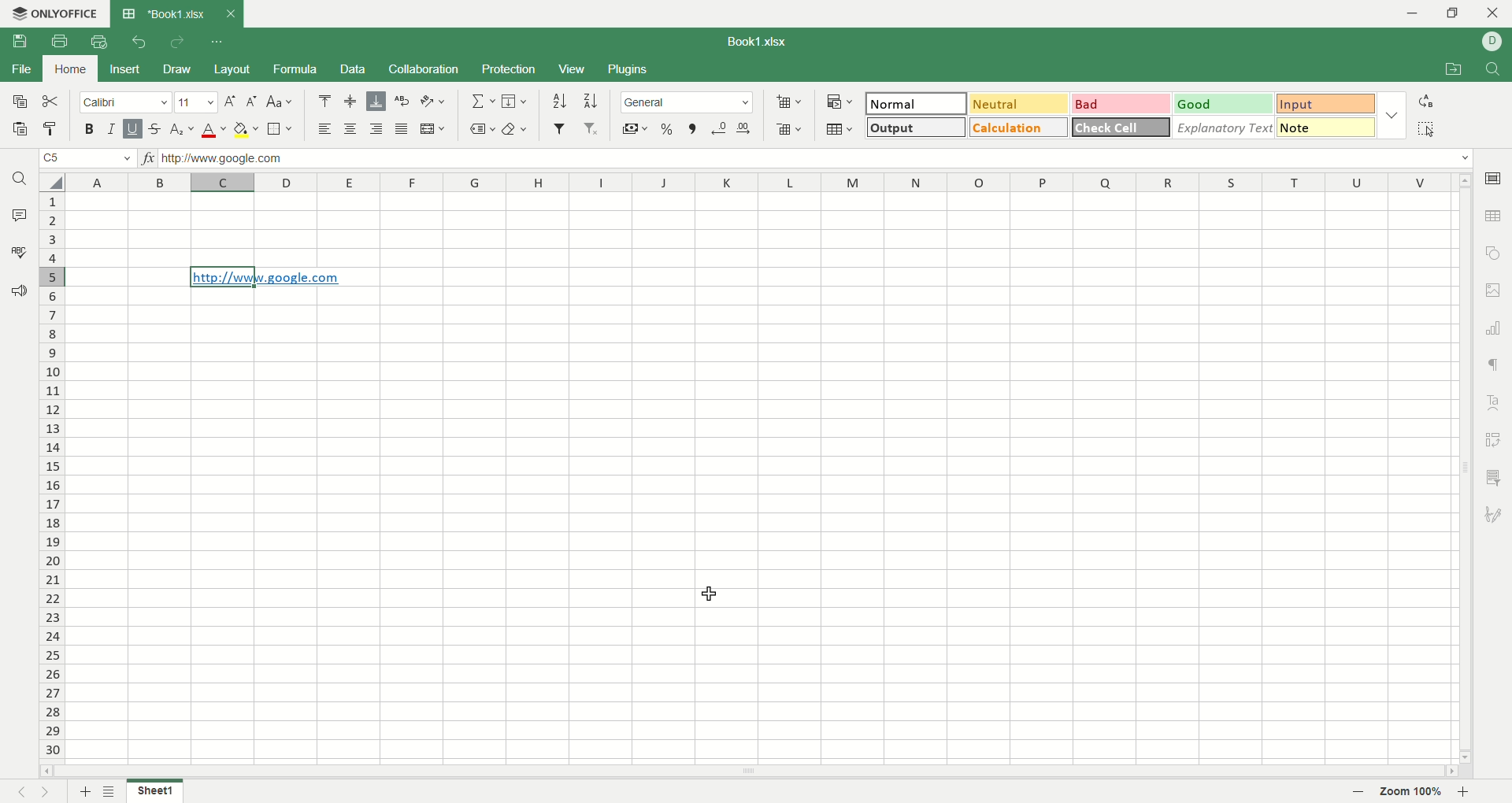 The image size is (1512, 803). I want to click on zoom factor, so click(1415, 792).